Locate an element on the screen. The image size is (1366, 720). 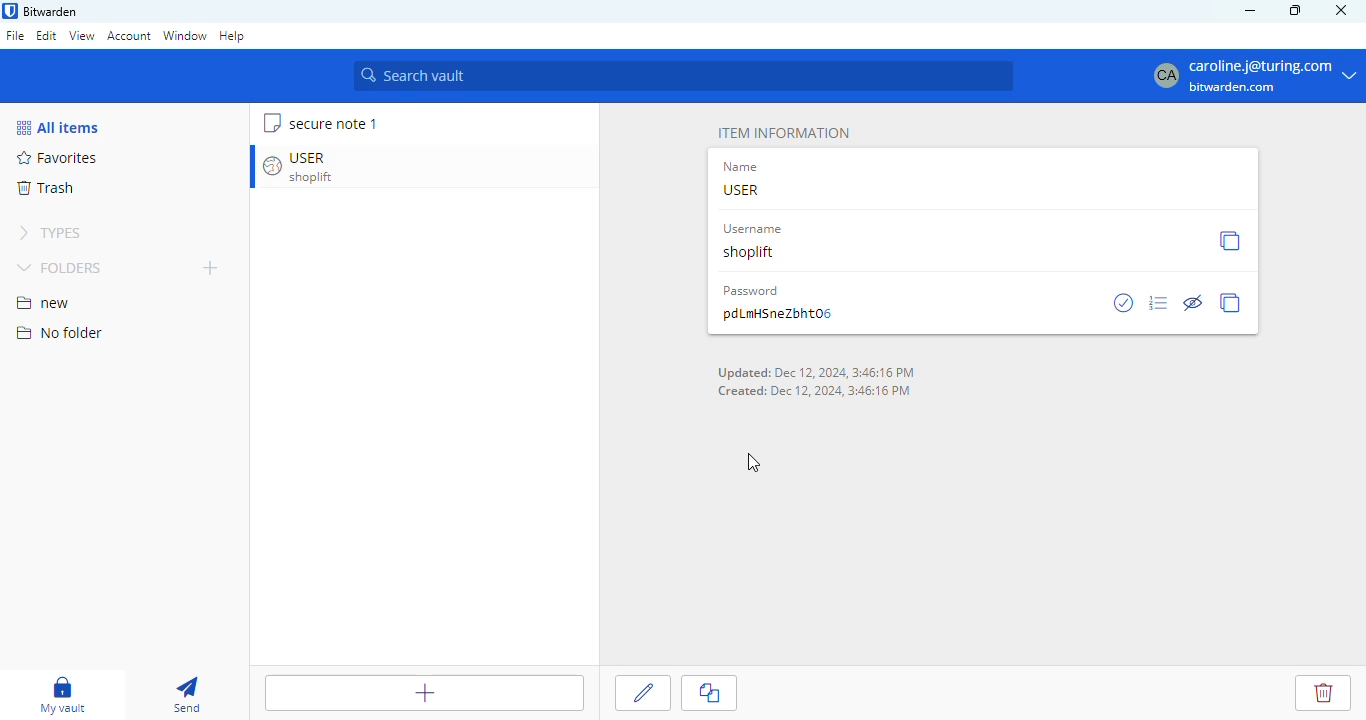
copy username is located at coordinates (1230, 241).